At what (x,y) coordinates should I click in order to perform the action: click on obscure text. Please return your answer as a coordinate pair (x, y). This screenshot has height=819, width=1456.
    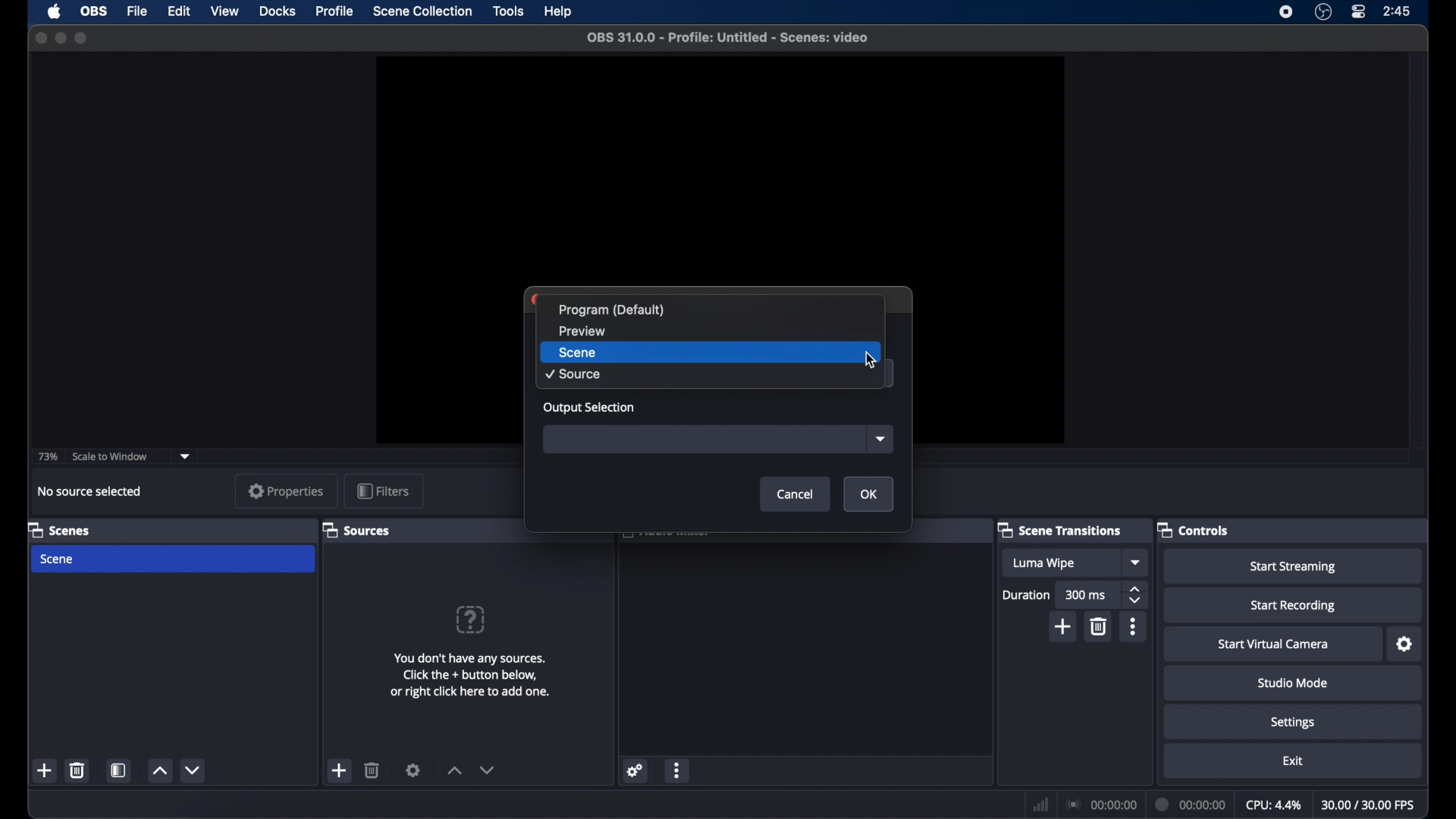
    Looking at the image, I should click on (665, 538).